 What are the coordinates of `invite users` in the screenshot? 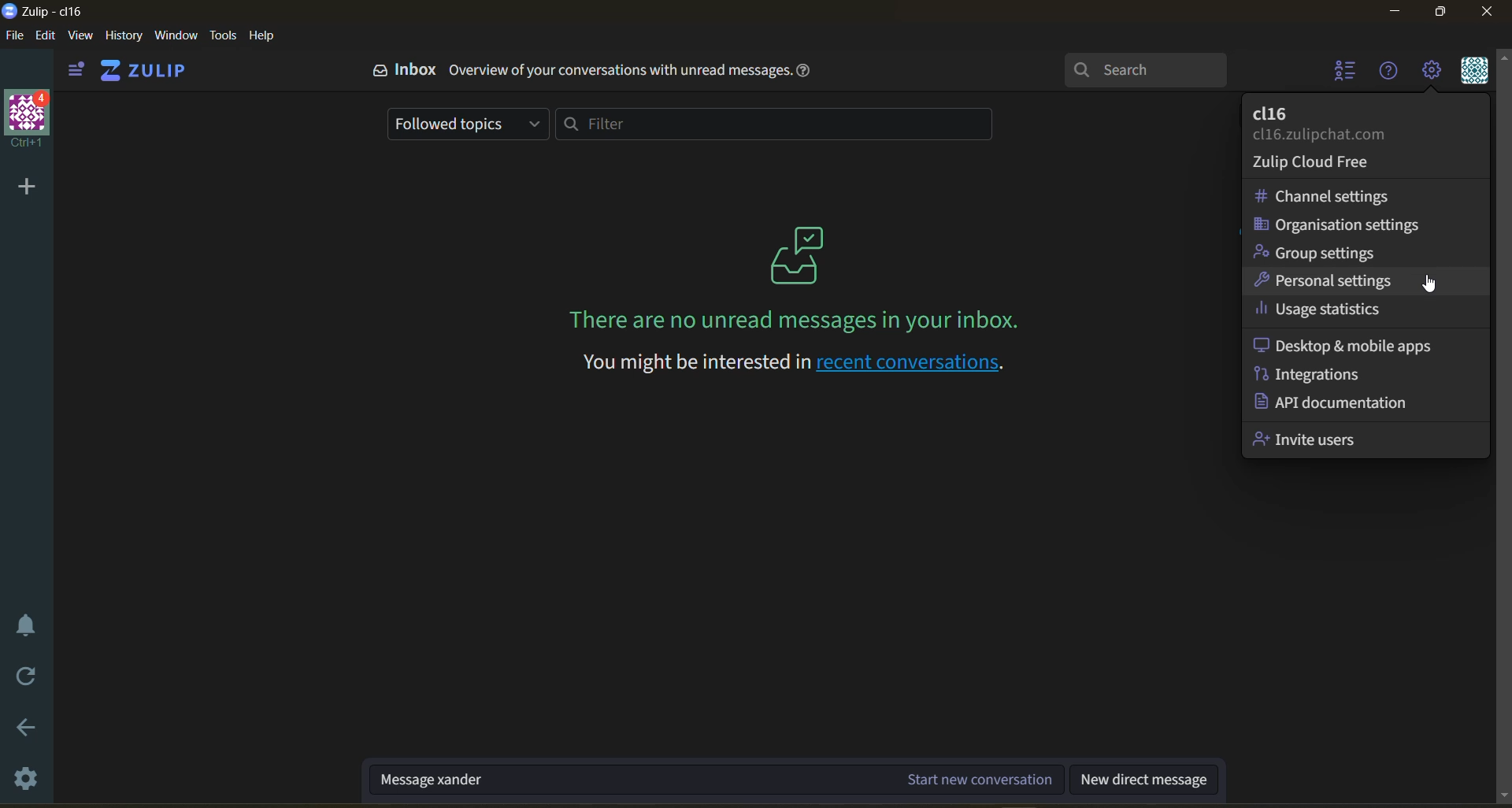 It's located at (1314, 440).